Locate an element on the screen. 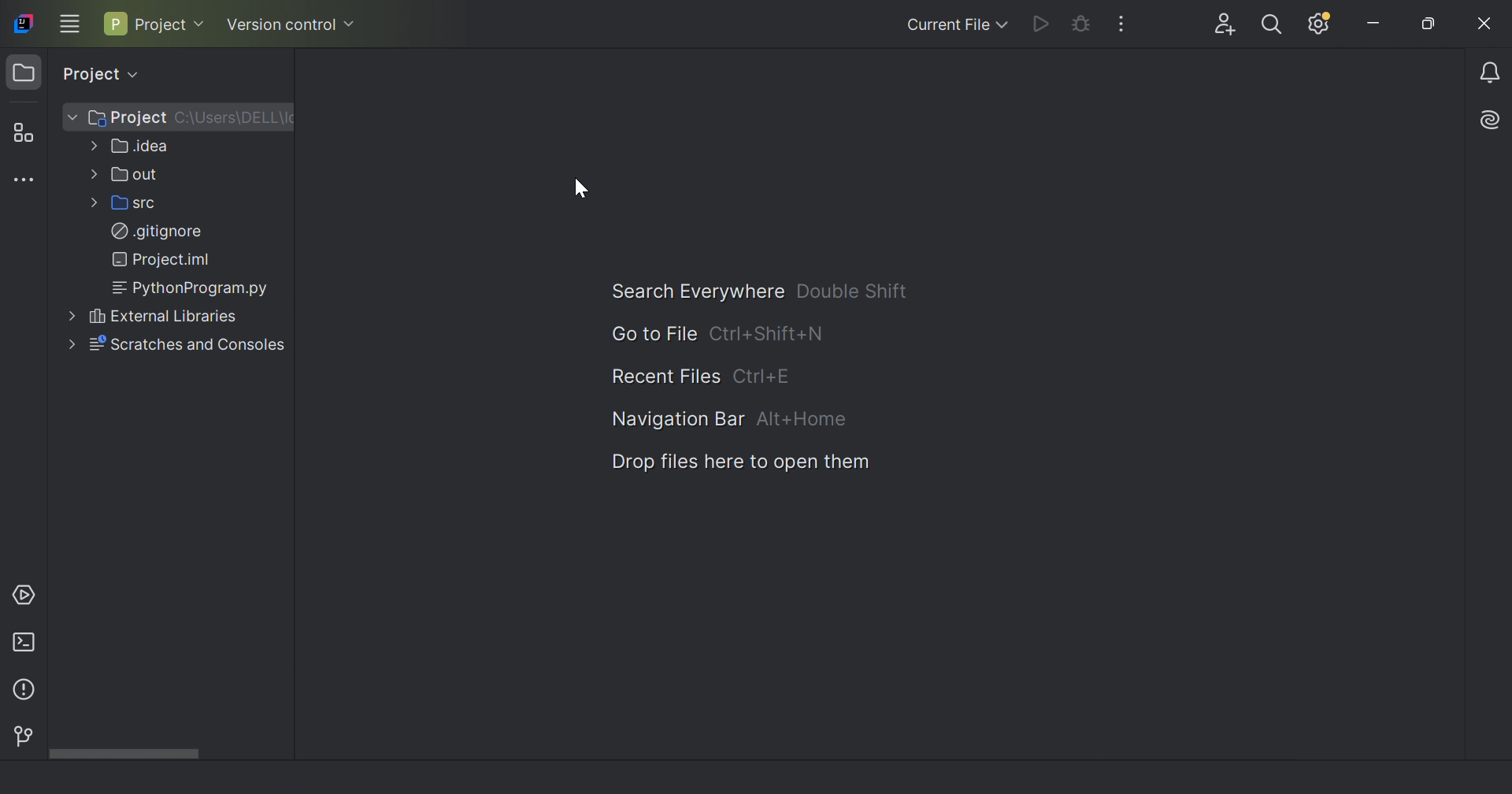 This screenshot has height=794, width=1512. Debug is located at coordinates (1082, 23).